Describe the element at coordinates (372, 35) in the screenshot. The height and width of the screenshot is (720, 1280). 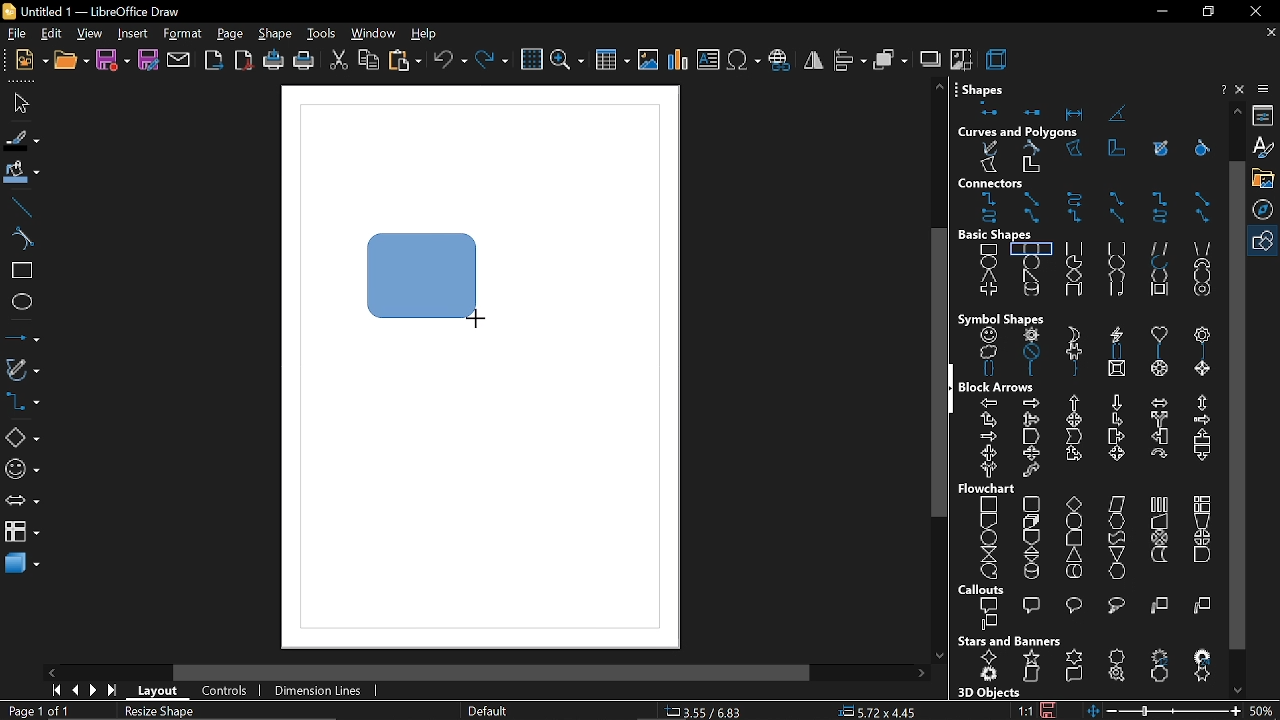
I see `window` at that location.